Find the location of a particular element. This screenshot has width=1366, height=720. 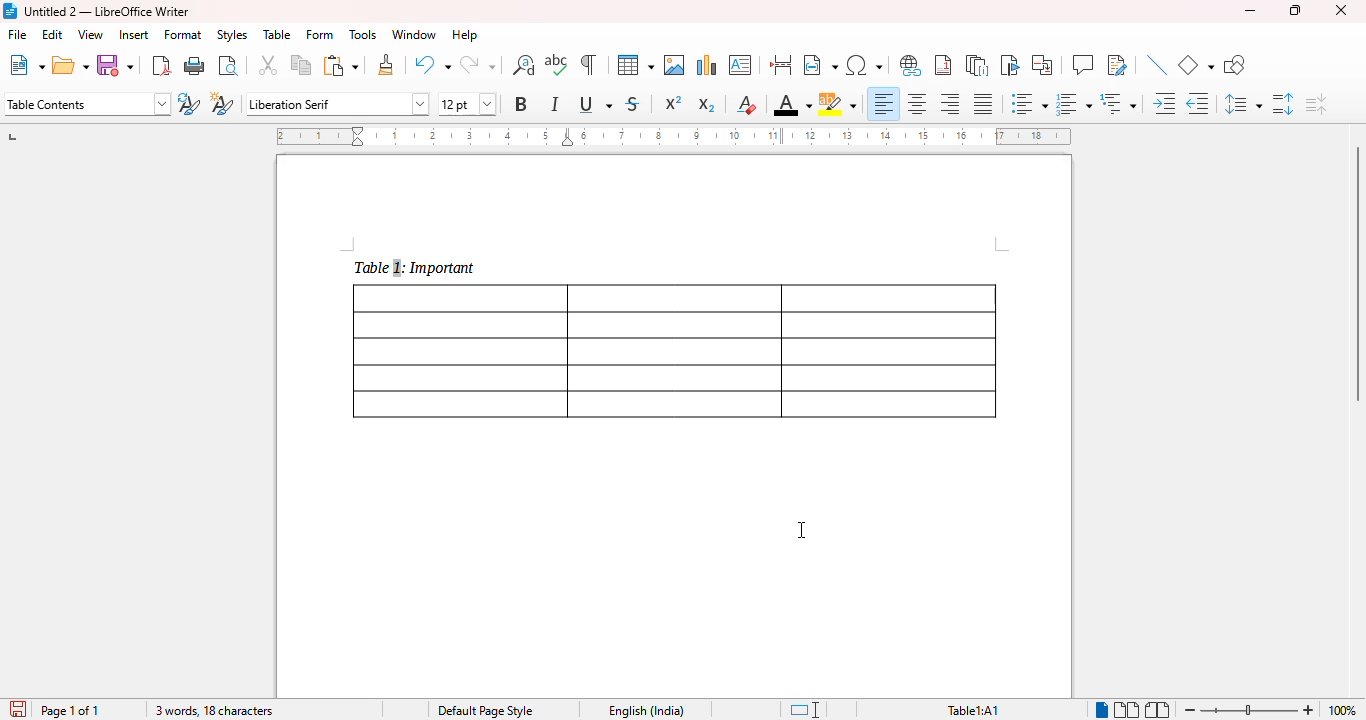

paste is located at coordinates (342, 66).